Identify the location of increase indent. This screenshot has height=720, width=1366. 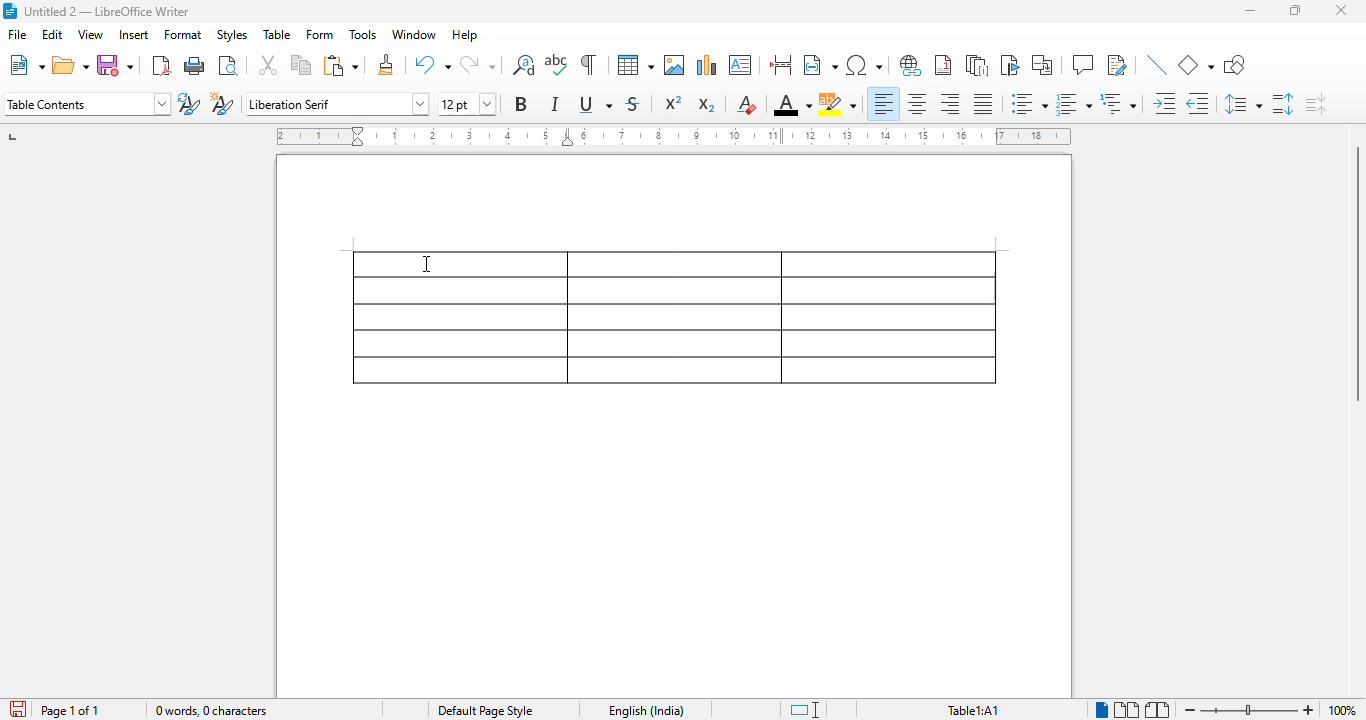
(1164, 103).